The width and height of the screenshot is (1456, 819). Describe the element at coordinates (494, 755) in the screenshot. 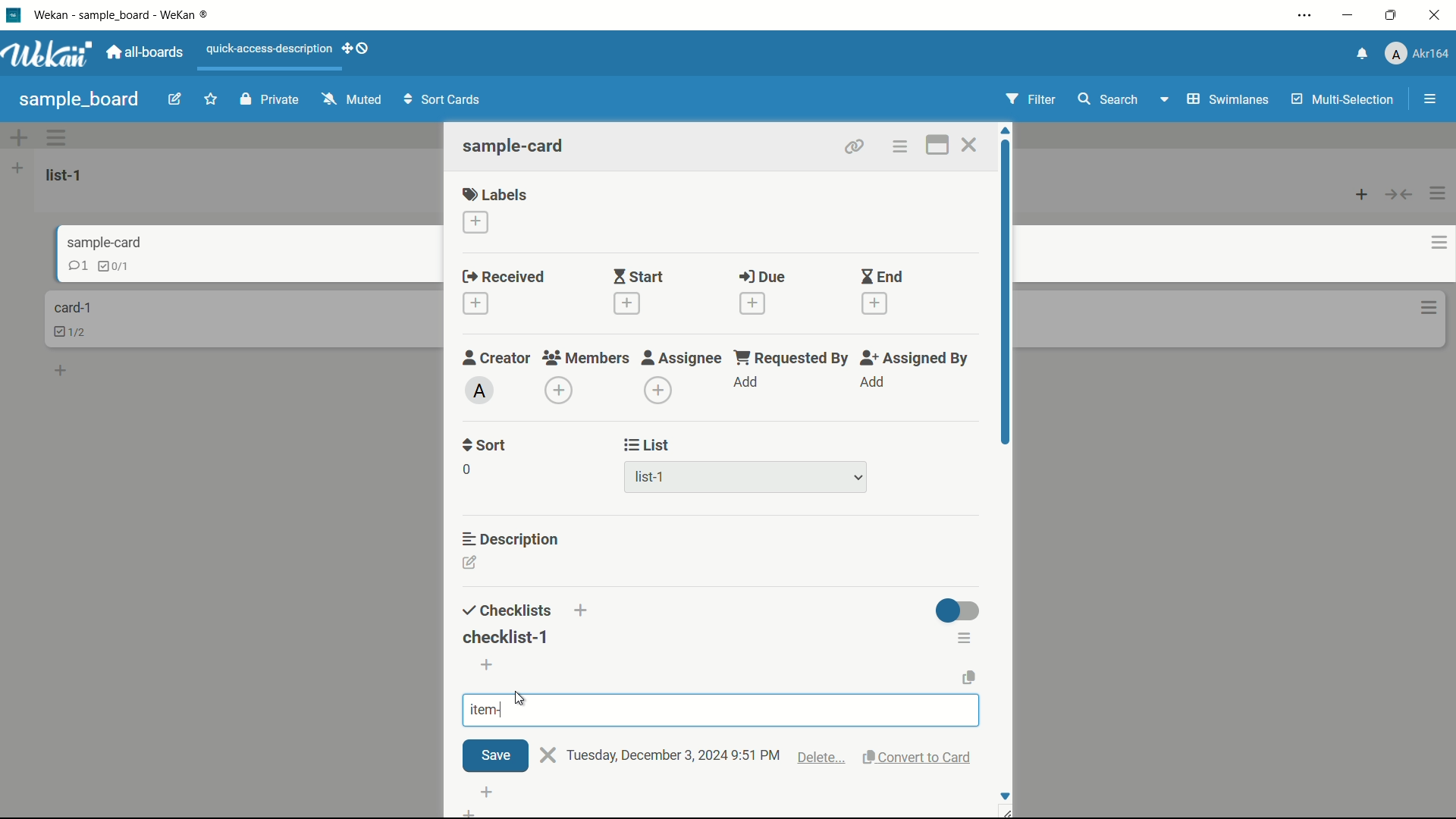

I see `save` at that location.